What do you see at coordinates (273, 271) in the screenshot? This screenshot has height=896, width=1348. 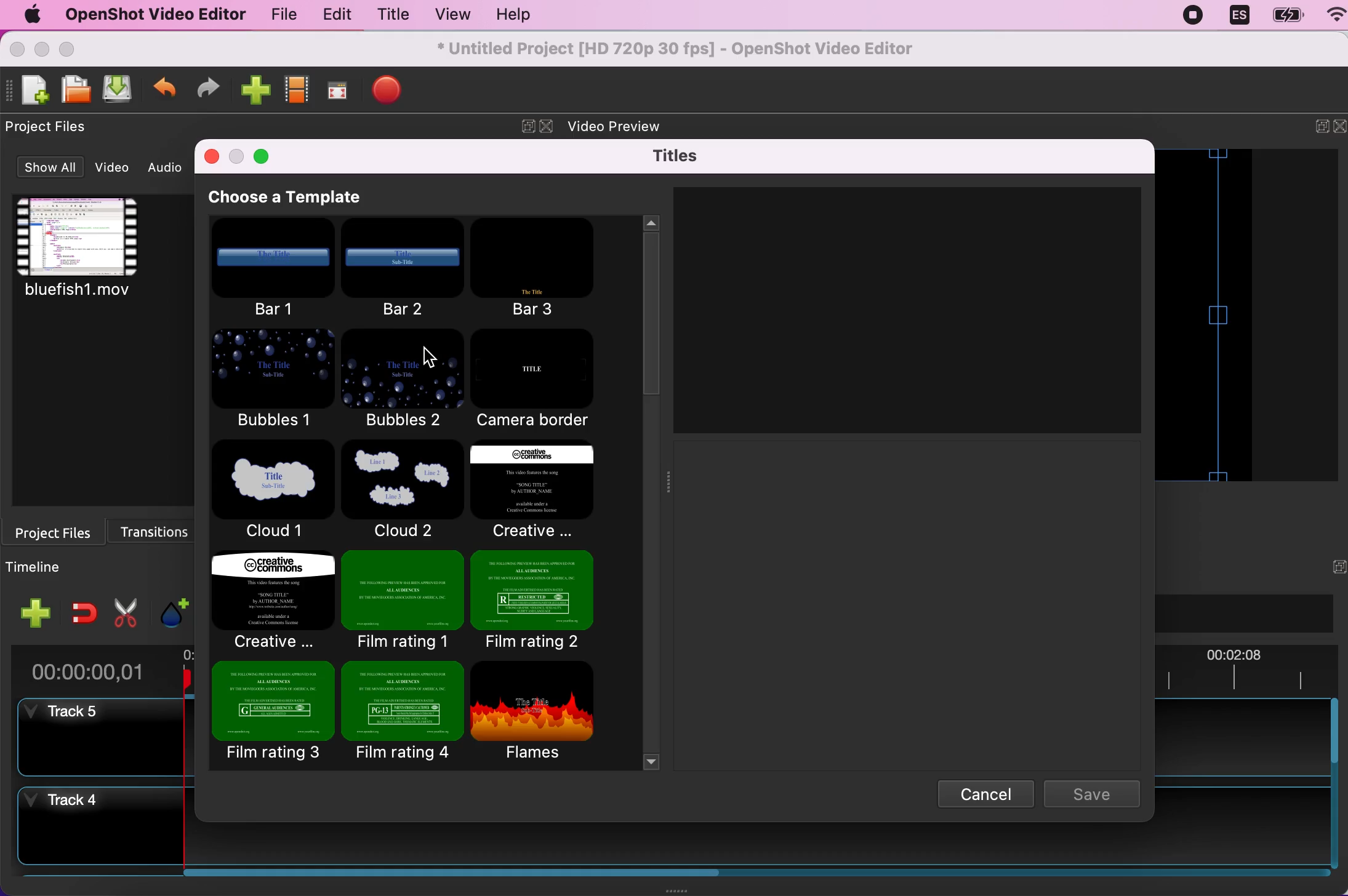 I see `bar 1` at bounding box center [273, 271].